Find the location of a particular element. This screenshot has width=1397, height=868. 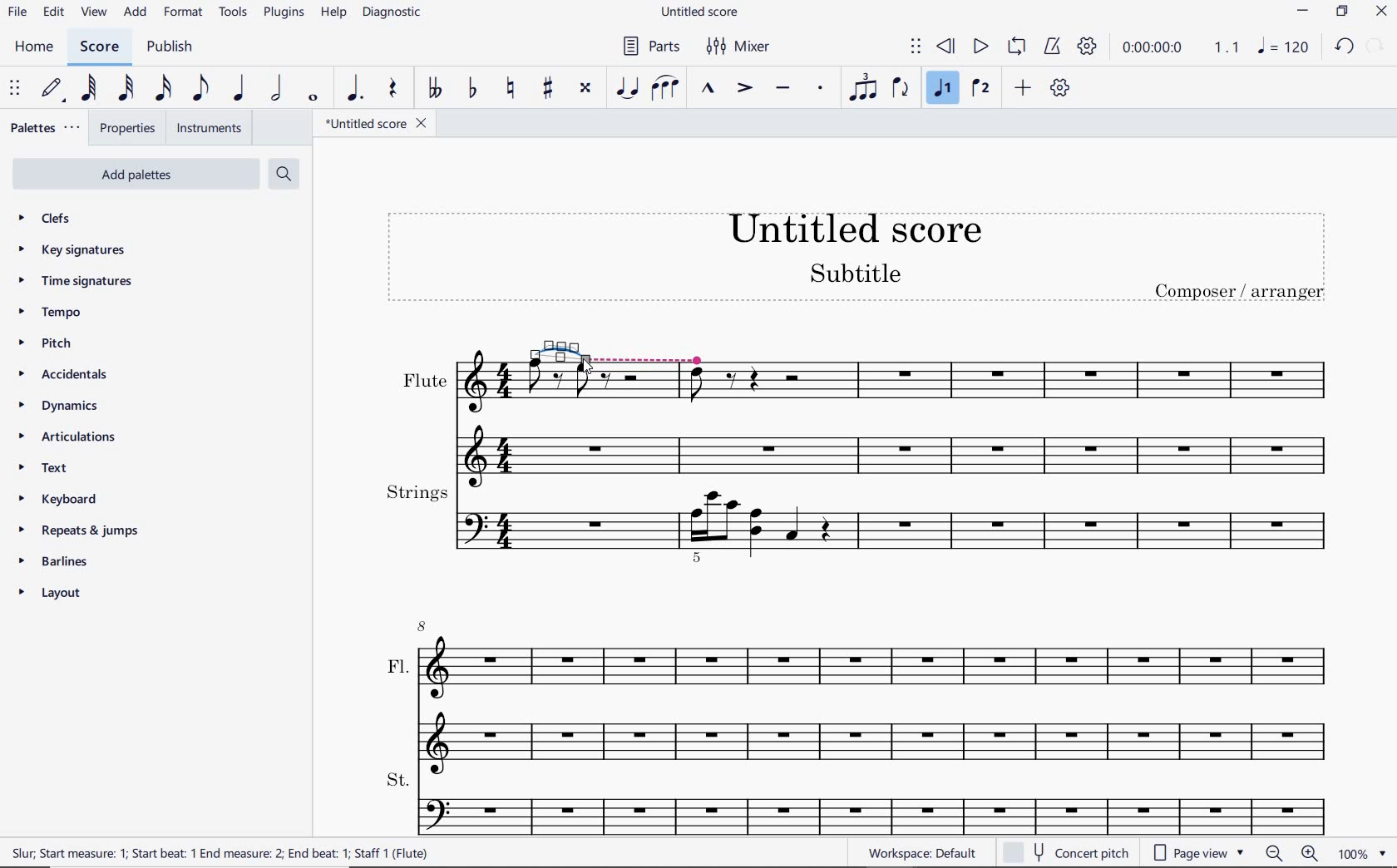

help is located at coordinates (333, 13).